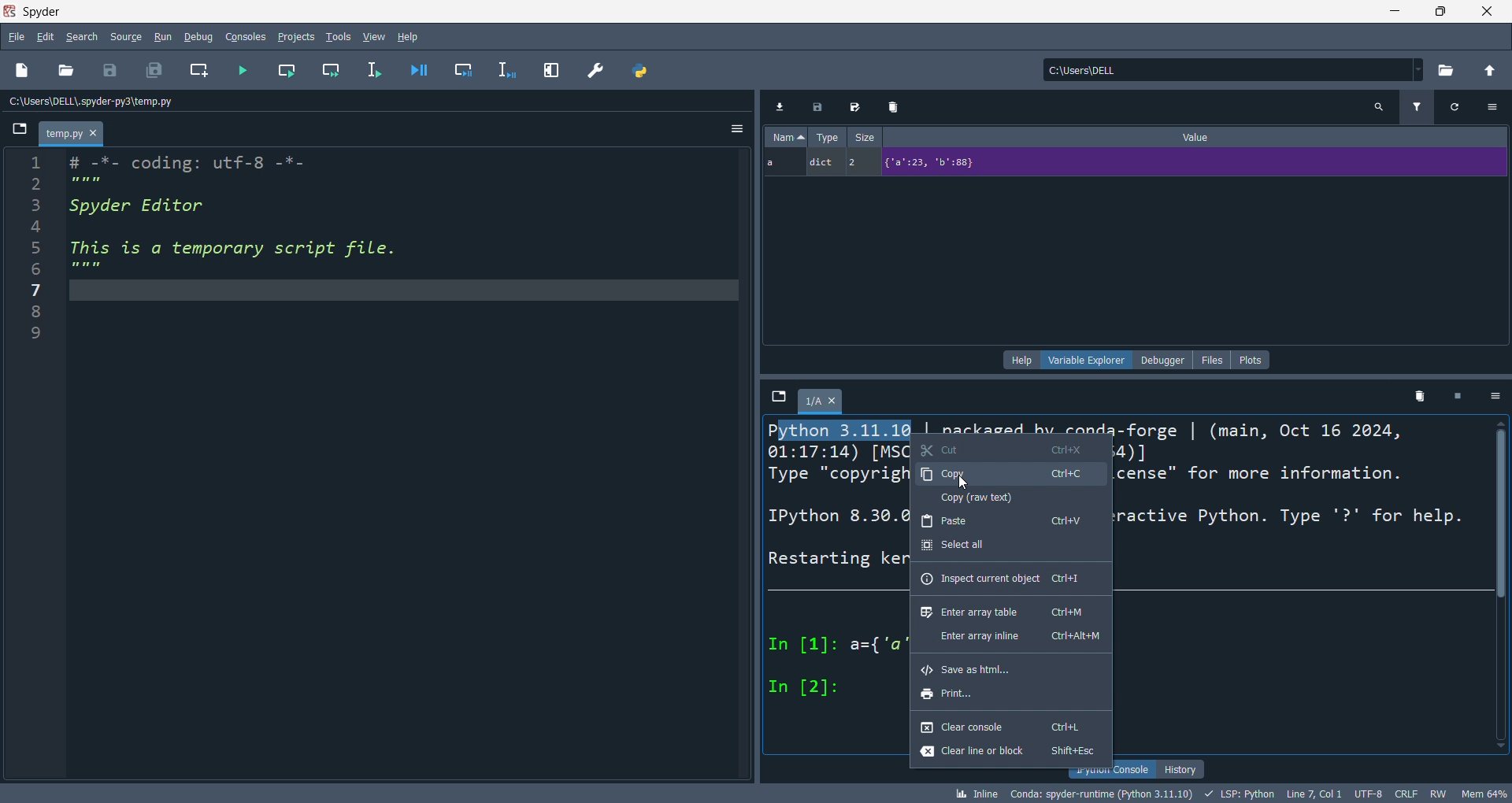 The width and height of the screenshot is (1512, 803). I want to click on copy, so click(1006, 474).